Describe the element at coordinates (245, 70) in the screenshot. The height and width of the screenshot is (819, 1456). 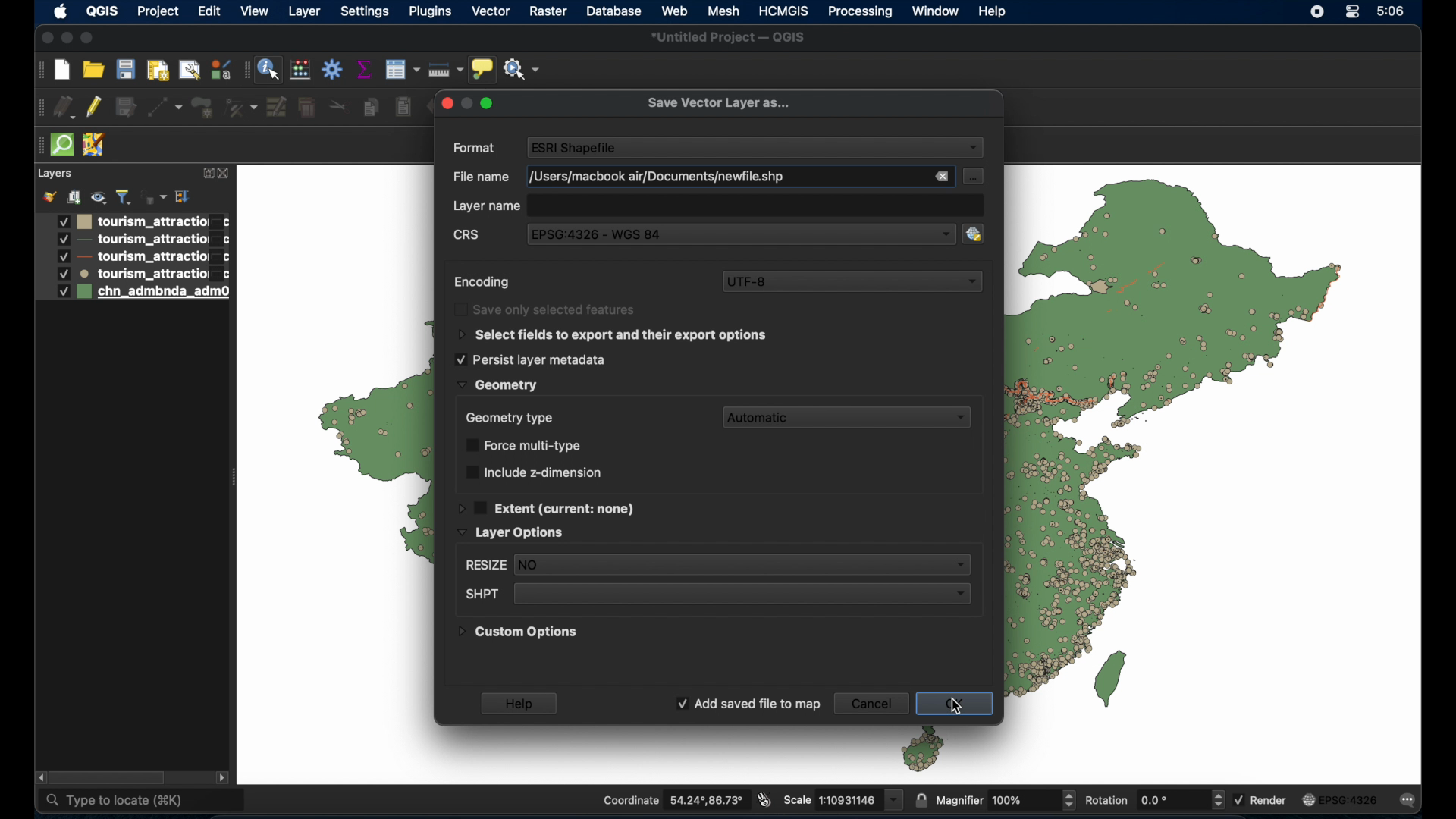
I see `drag handle` at that location.